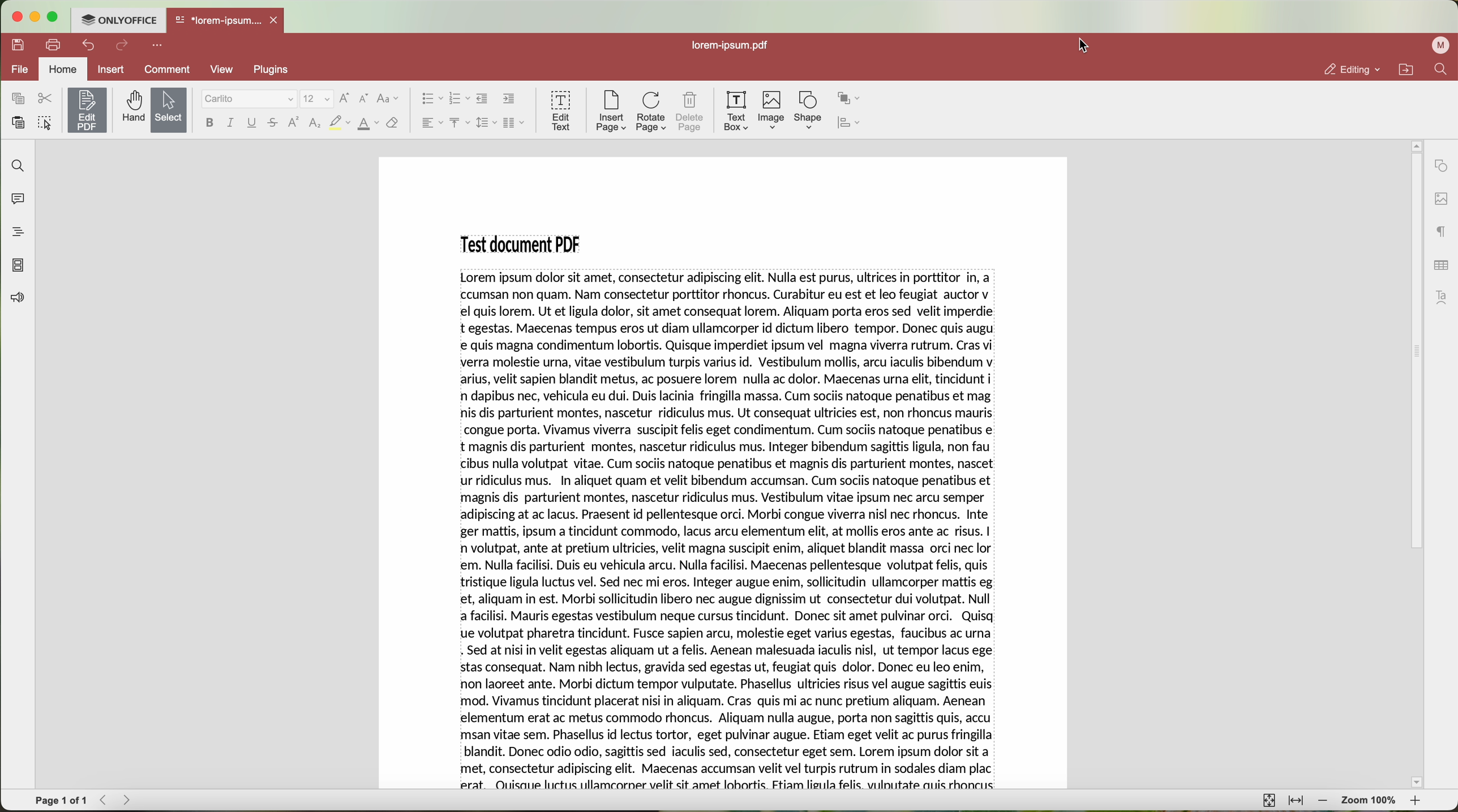 This screenshot has width=1458, height=812. I want to click on insert columns, so click(516, 123).